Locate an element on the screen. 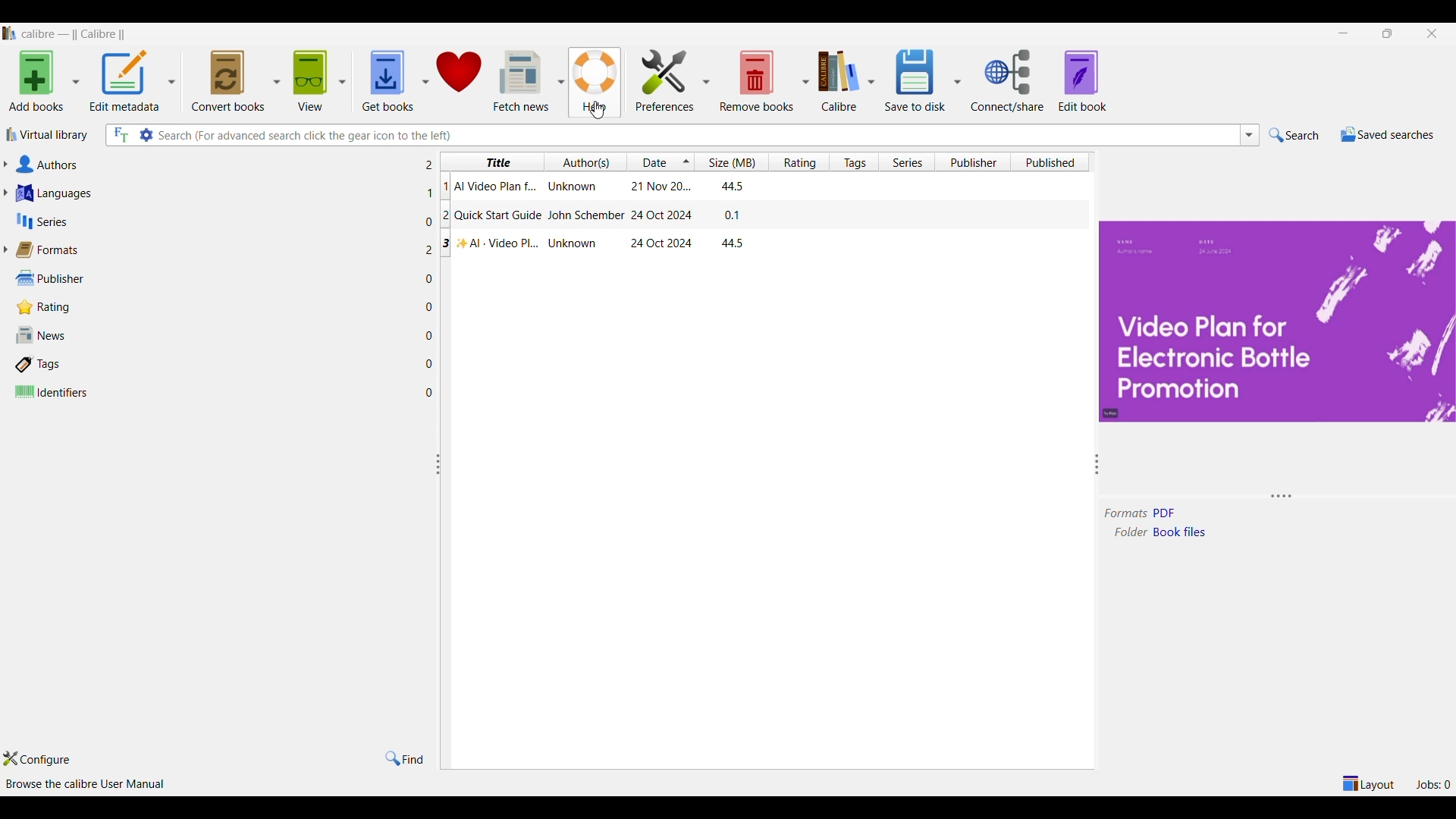  Tags is located at coordinates (208, 364).